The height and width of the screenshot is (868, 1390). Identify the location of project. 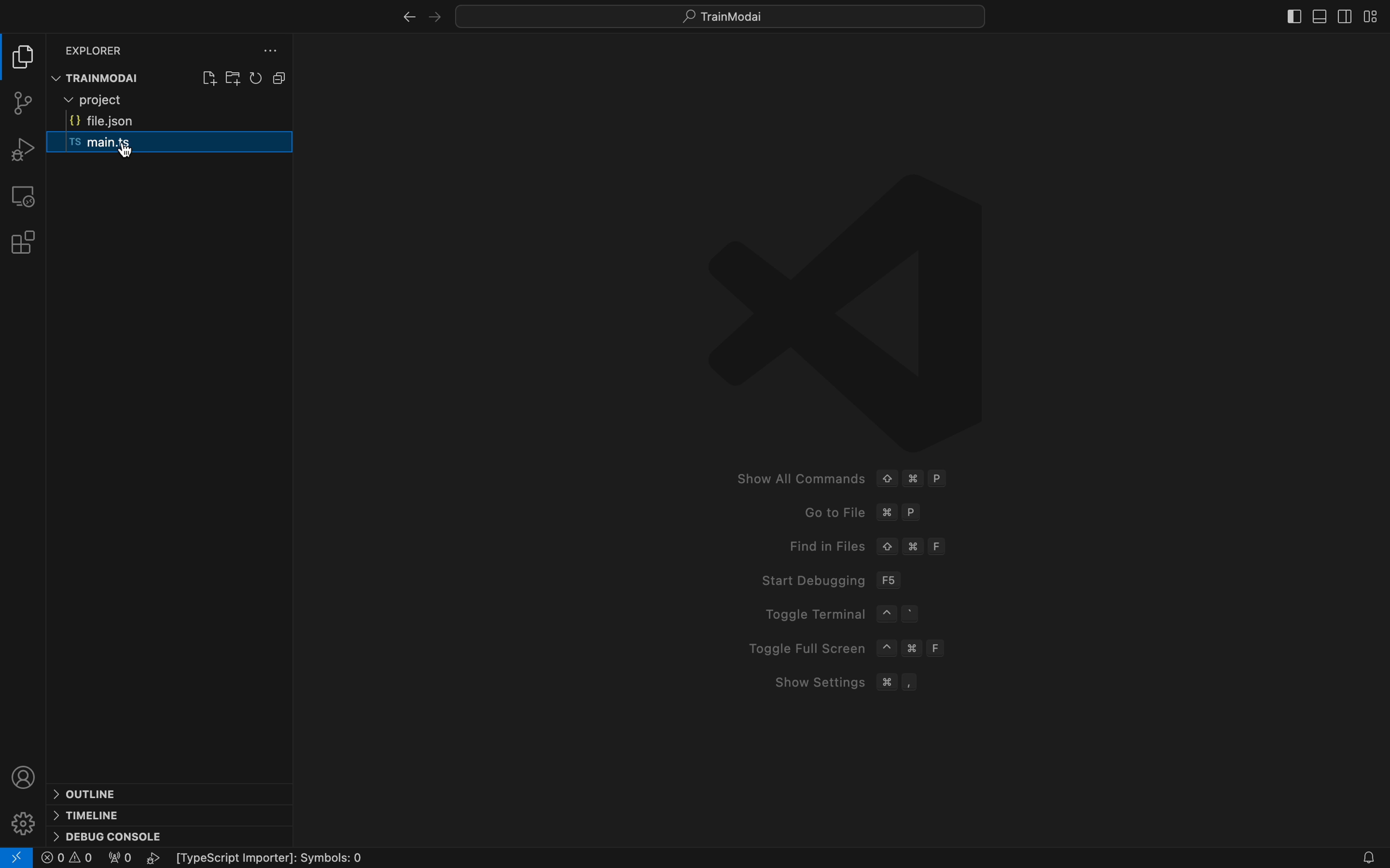
(175, 102).